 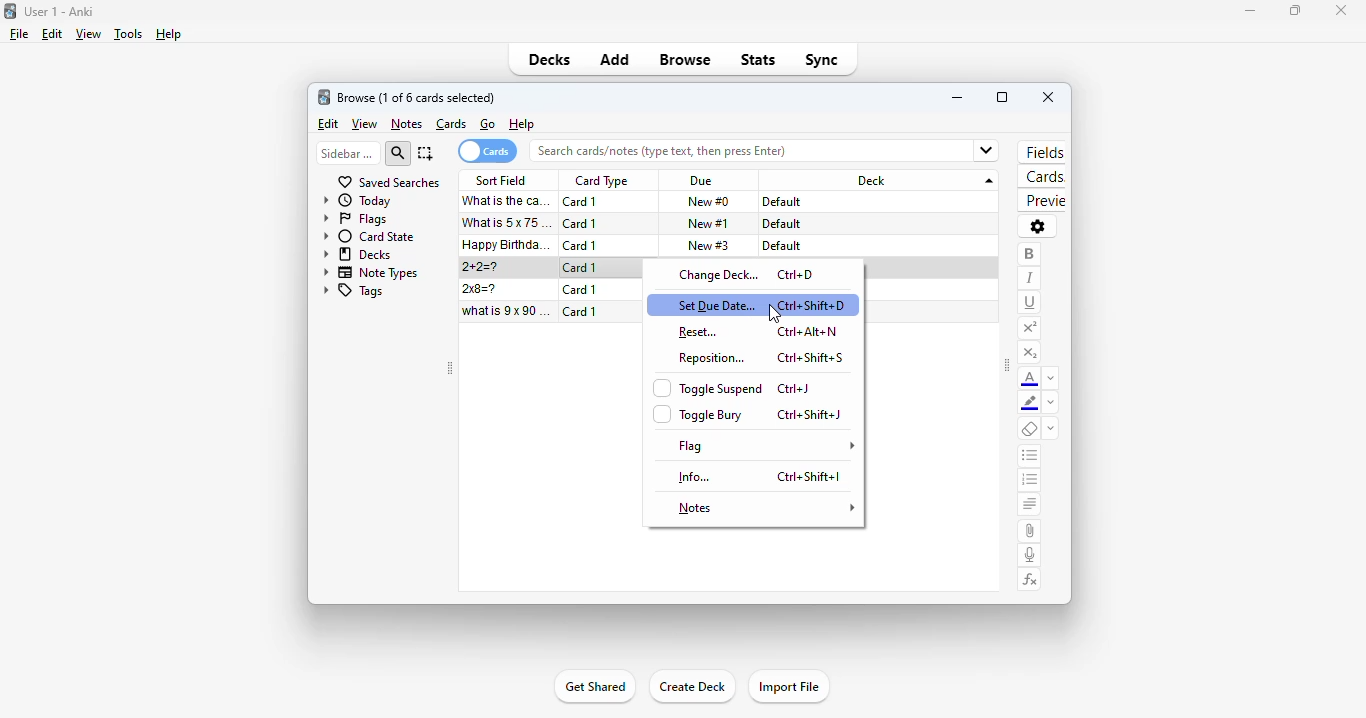 What do you see at coordinates (1051, 404) in the screenshot?
I see `change color` at bounding box center [1051, 404].